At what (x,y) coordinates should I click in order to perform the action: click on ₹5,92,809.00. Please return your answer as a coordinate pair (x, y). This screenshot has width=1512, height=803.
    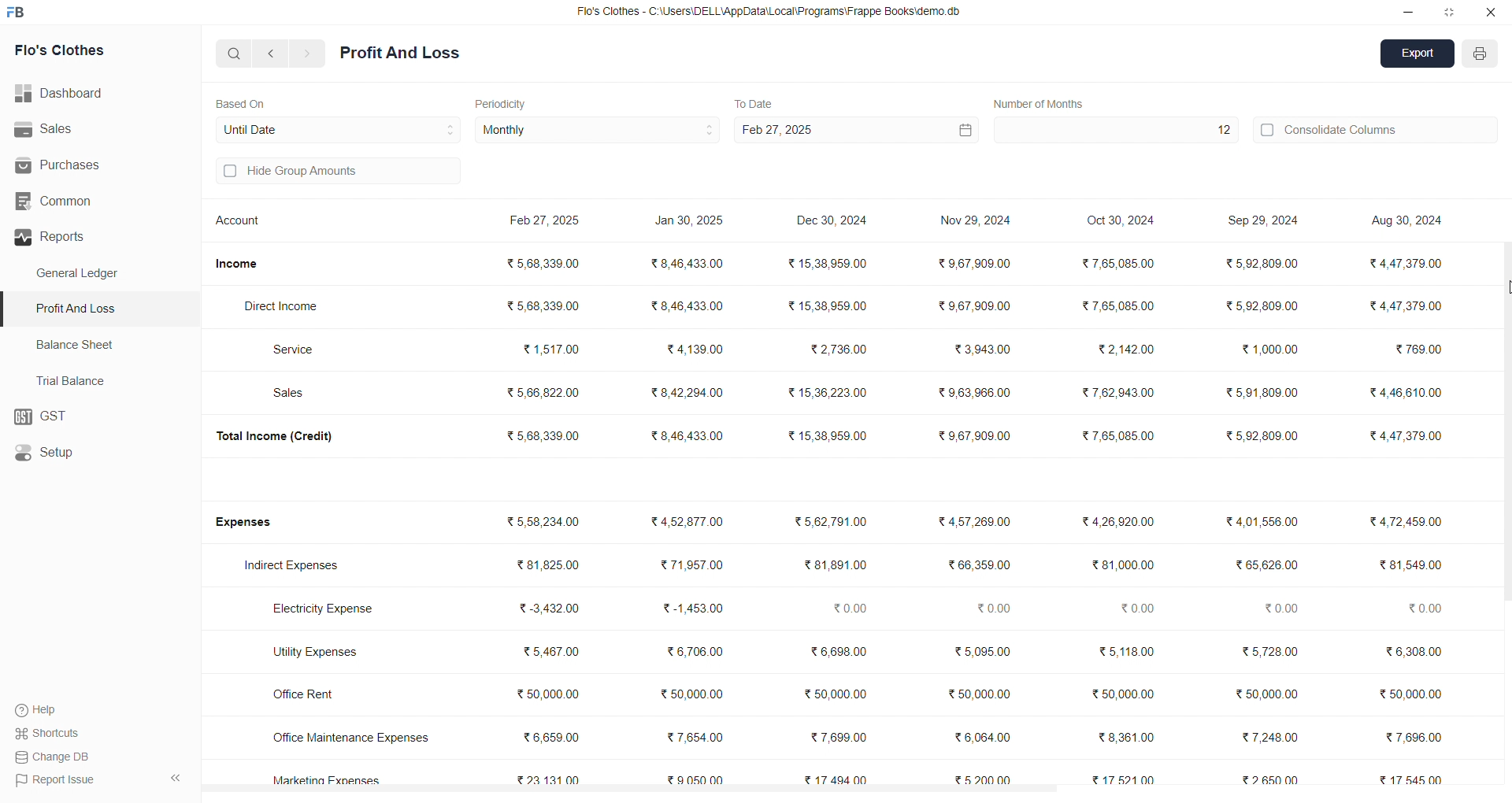
    Looking at the image, I should click on (1266, 307).